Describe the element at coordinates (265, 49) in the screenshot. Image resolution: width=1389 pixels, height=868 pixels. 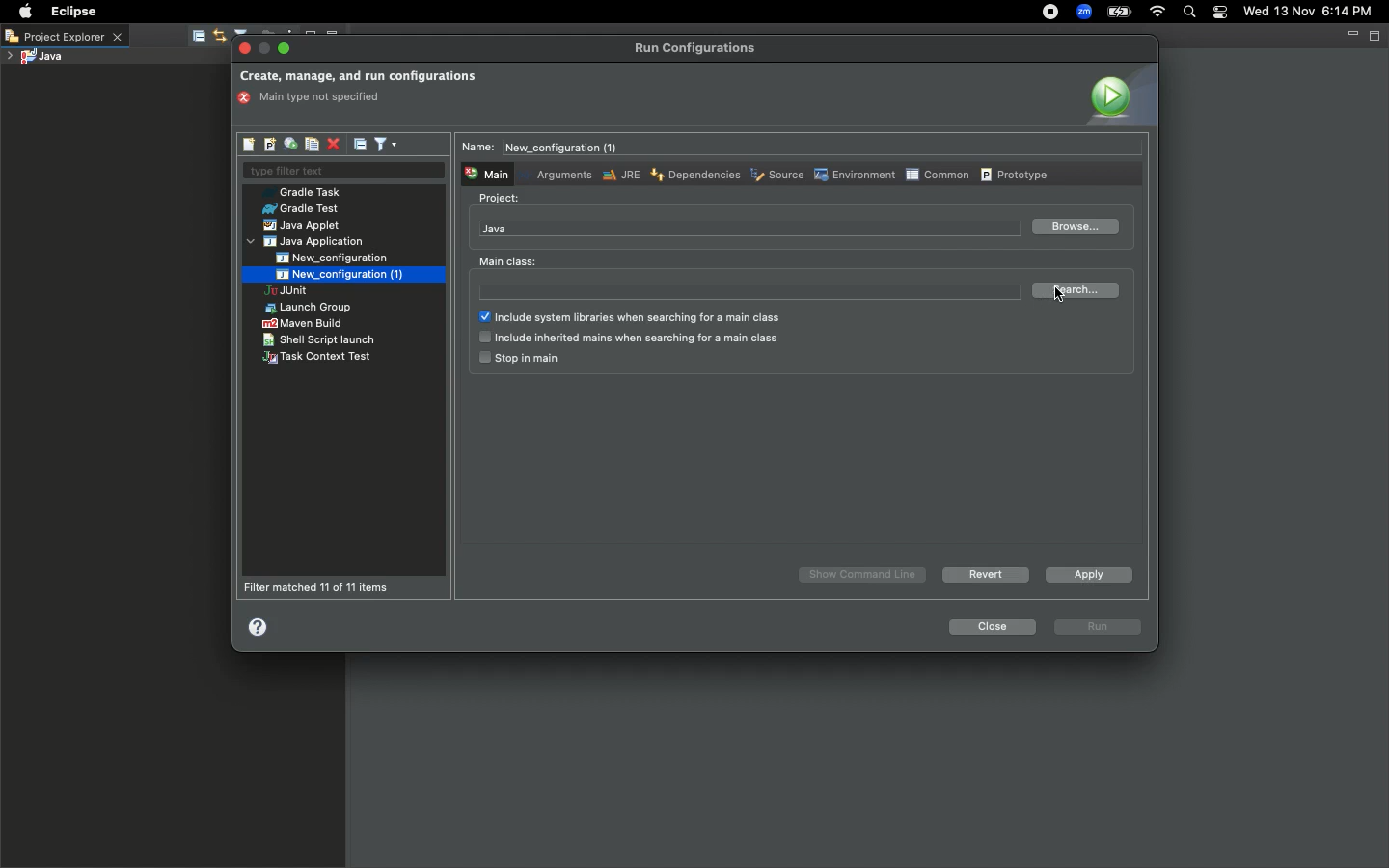
I see `minimize` at that location.